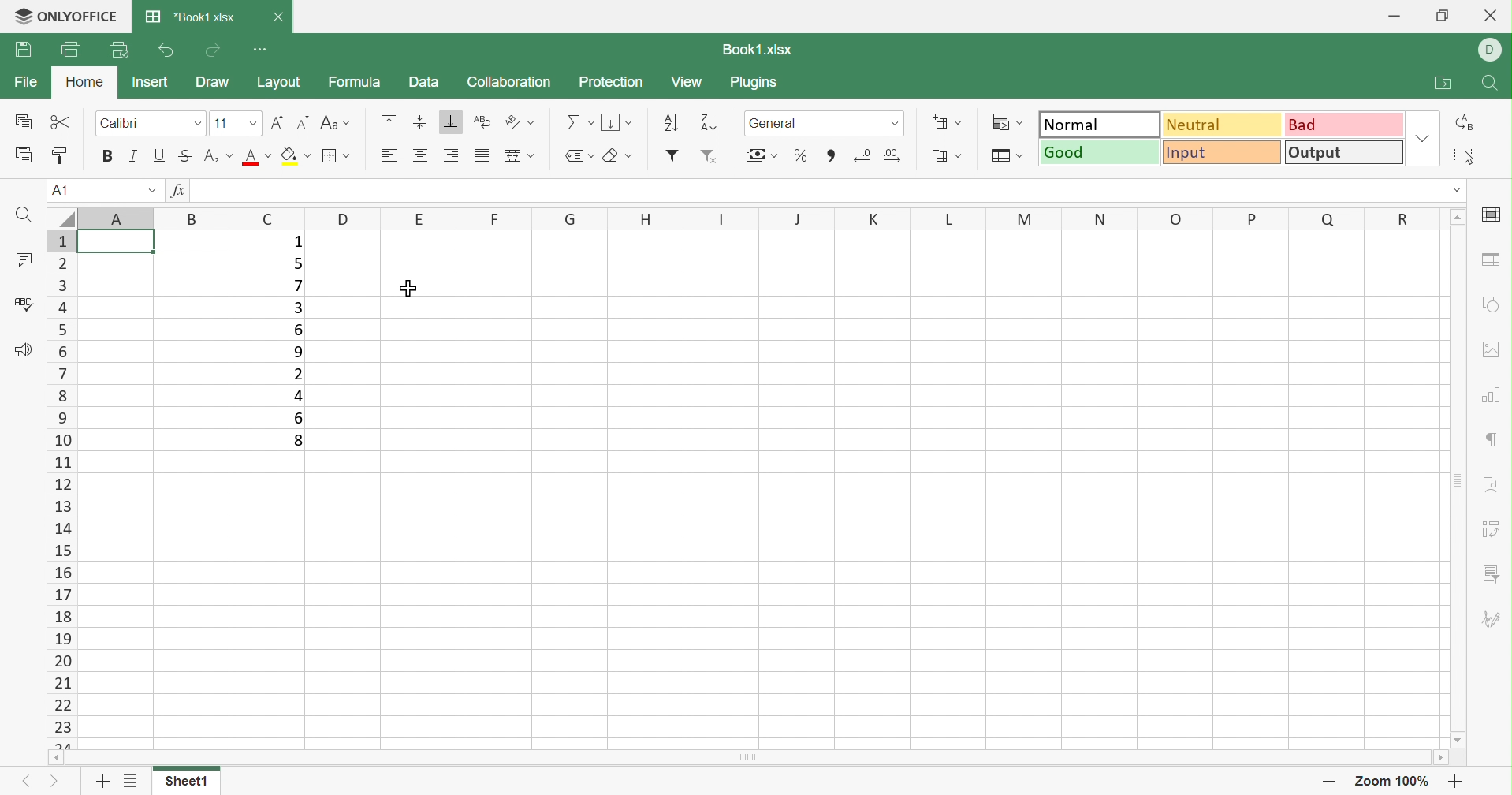 This screenshot has width=1512, height=795. Describe the element at coordinates (296, 155) in the screenshot. I see `Fill color` at that location.